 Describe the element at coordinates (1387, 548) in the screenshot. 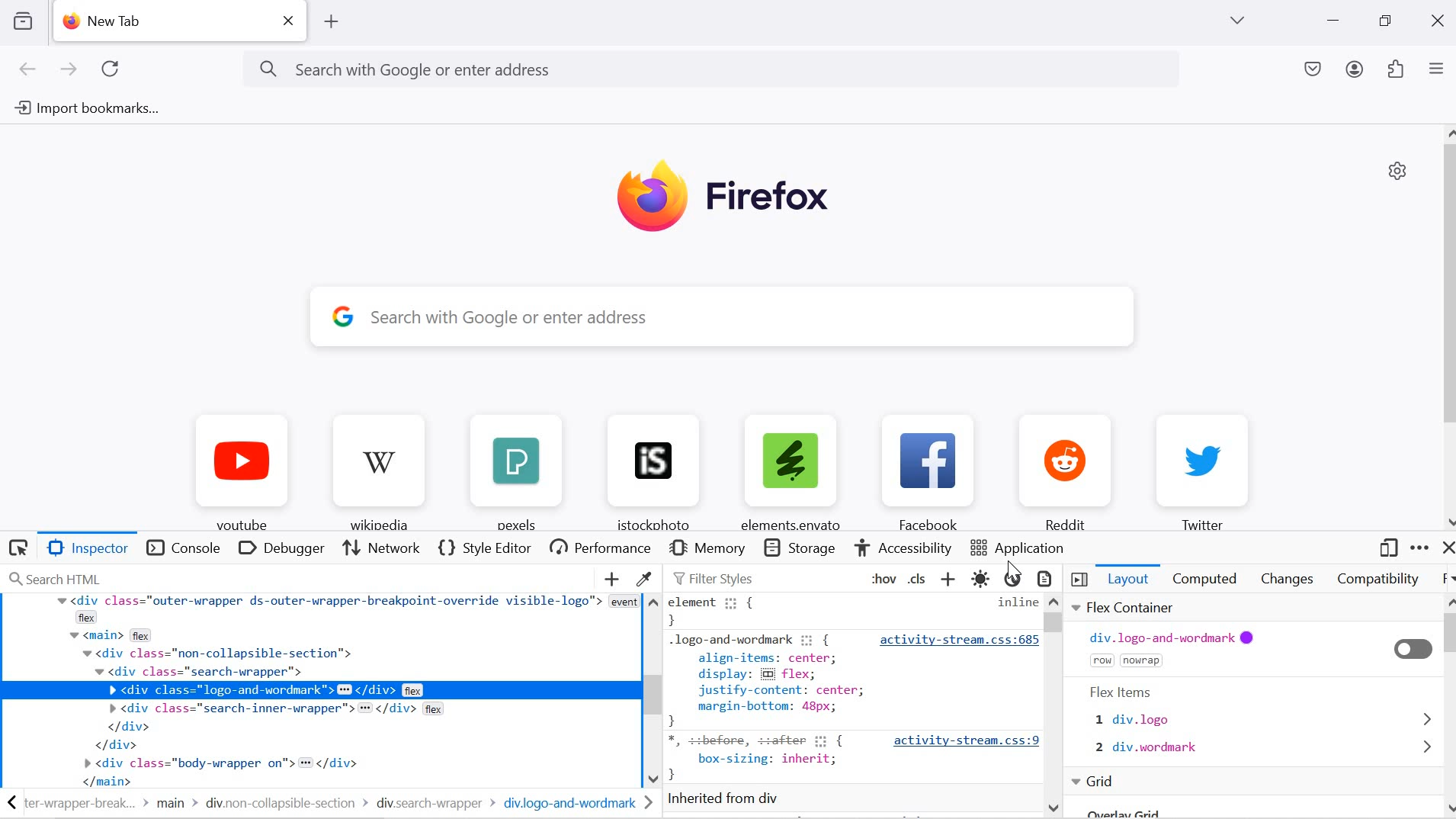

I see `responsive design mode` at that location.